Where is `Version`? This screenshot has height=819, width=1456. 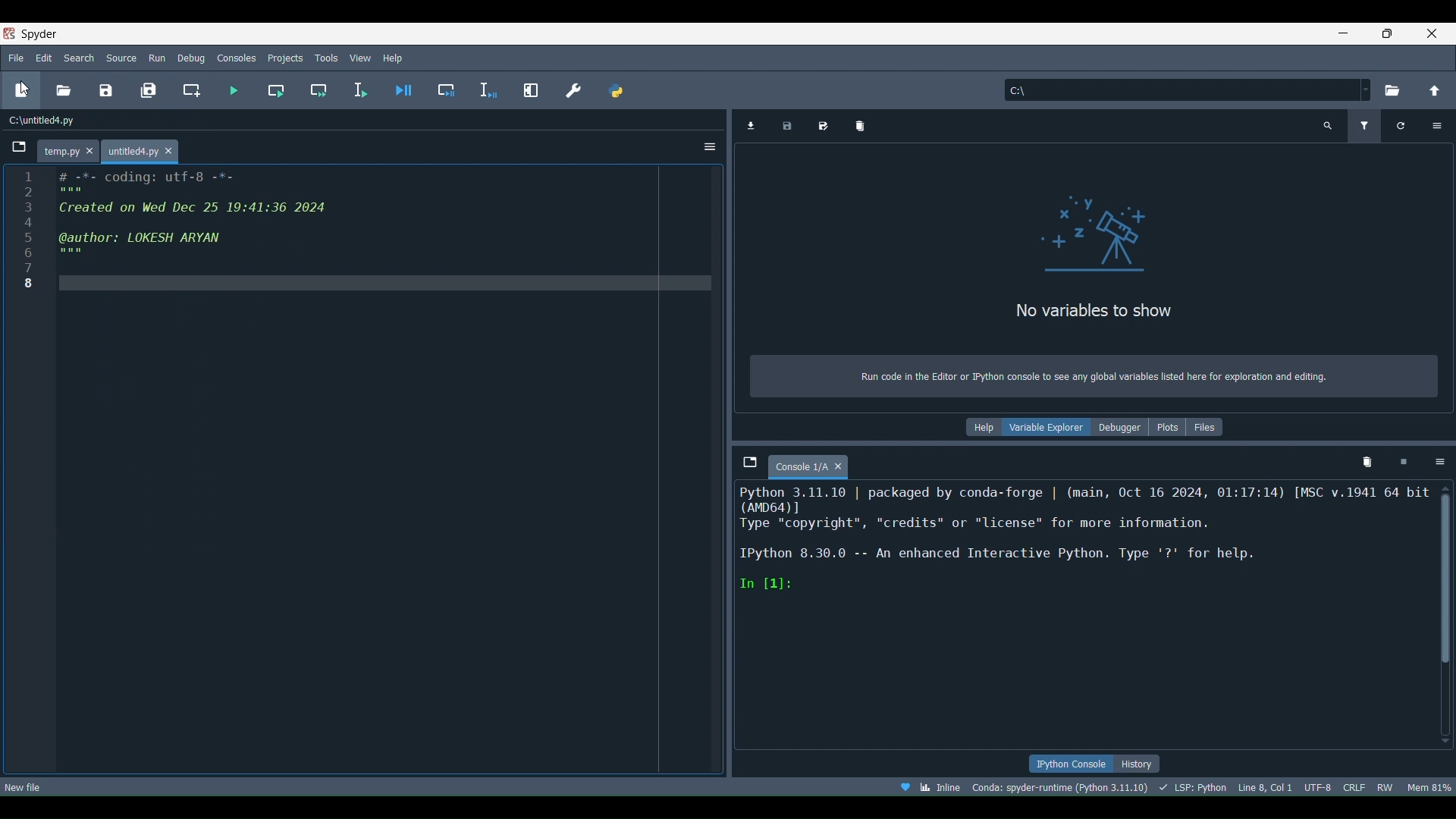 Version is located at coordinates (1064, 786).